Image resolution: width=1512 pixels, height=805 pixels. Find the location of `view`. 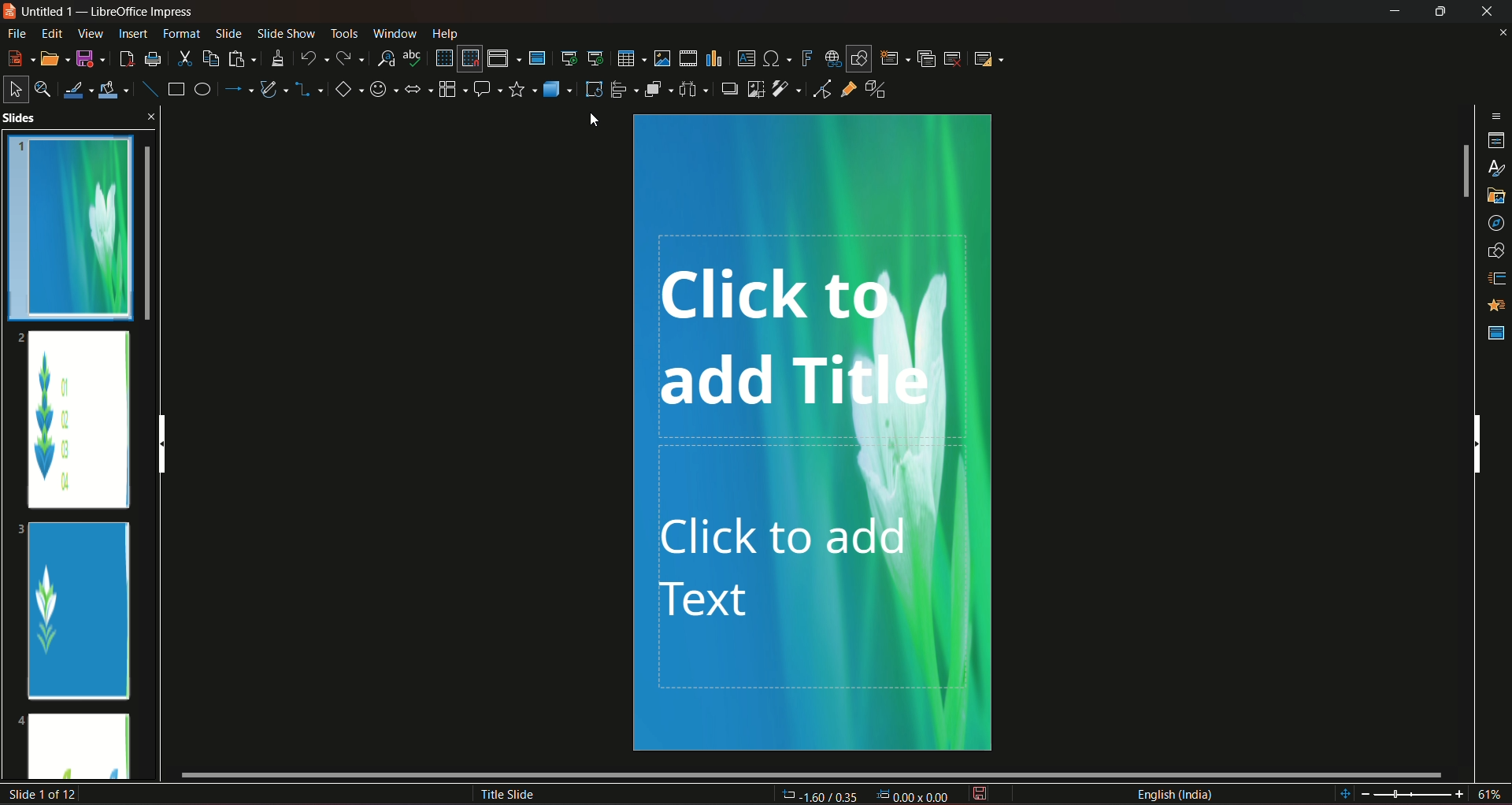

view is located at coordinates (88, 34).